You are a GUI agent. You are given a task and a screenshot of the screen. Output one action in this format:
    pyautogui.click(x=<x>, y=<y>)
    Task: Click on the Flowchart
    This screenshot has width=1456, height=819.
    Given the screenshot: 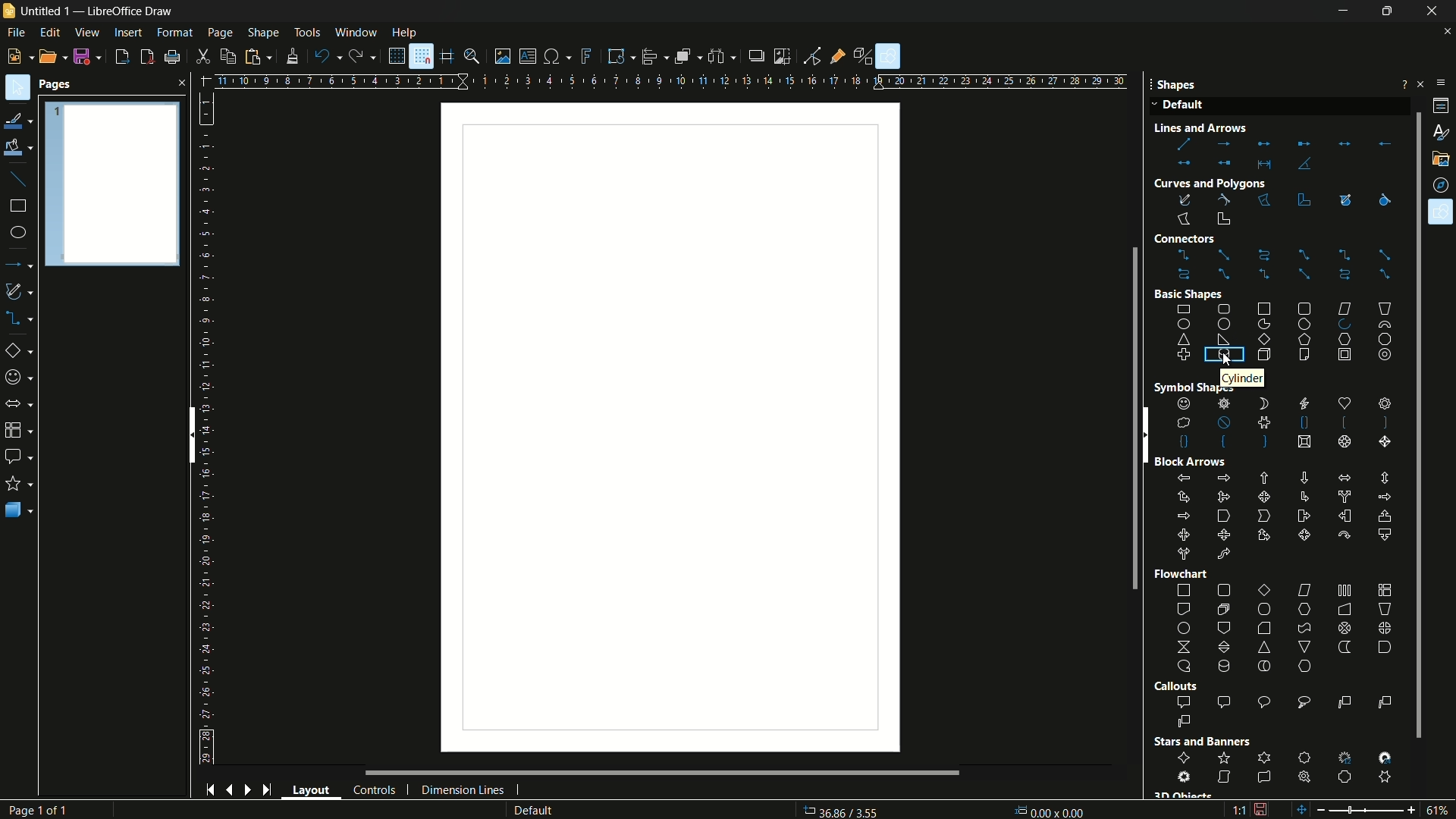 What is the action you would take?
    pyautogui.click(x=1183, y=574)
    